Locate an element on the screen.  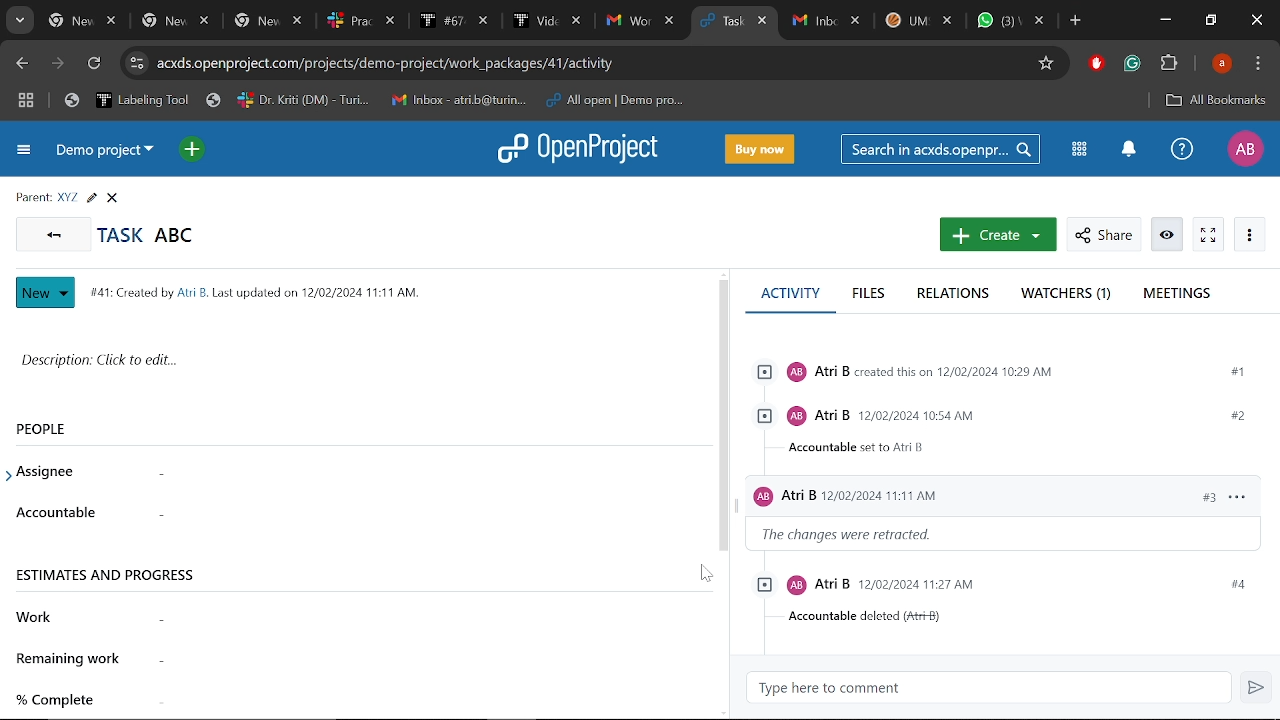
Create  is located at coordinates (998, 234).